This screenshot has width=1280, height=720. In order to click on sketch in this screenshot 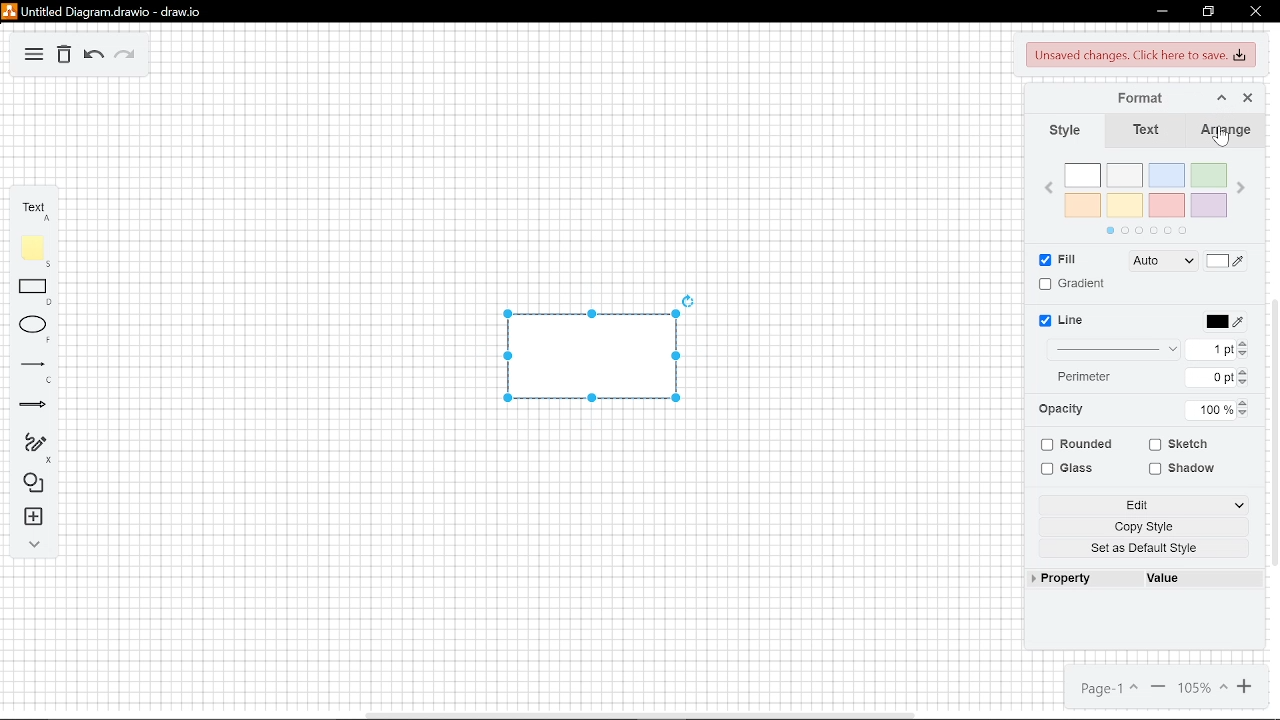, I will do `click(1181, 444)`.